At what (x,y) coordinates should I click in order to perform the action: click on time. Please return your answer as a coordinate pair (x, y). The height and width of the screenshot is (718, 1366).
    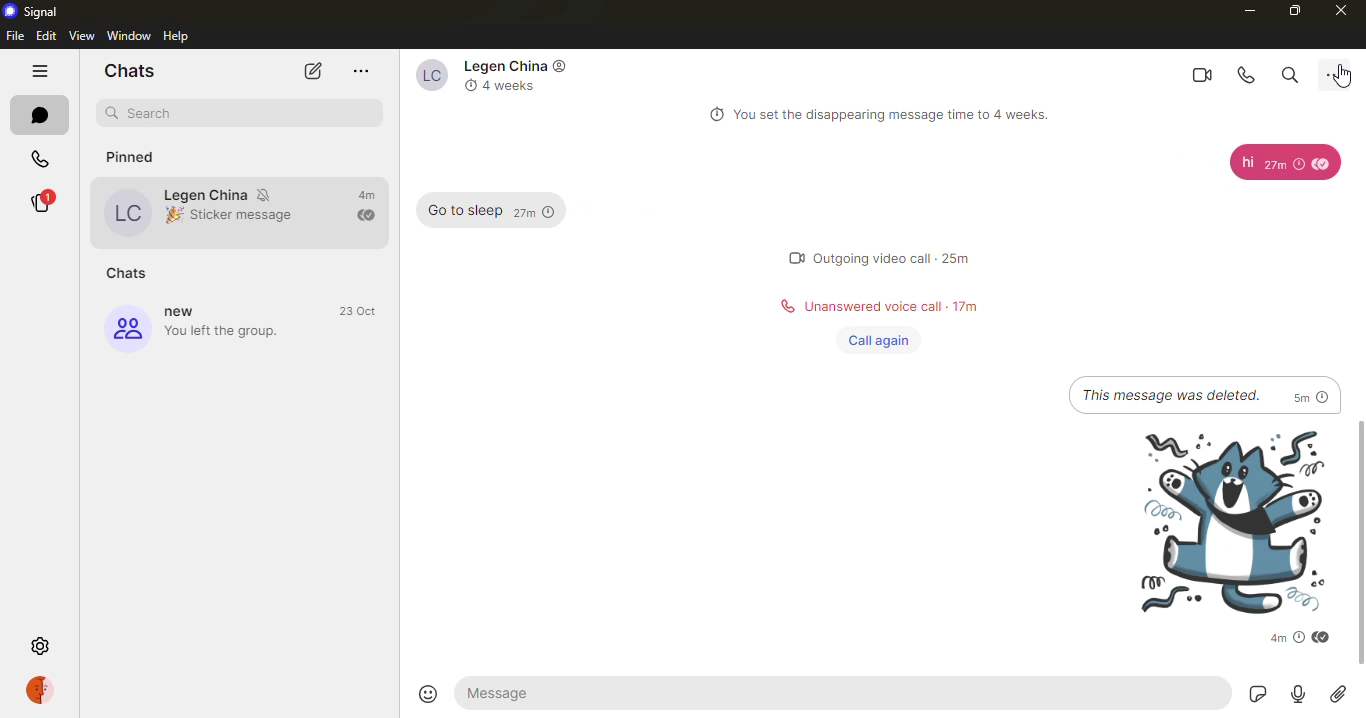
    Looking at the image, I should click on (1311, 395).